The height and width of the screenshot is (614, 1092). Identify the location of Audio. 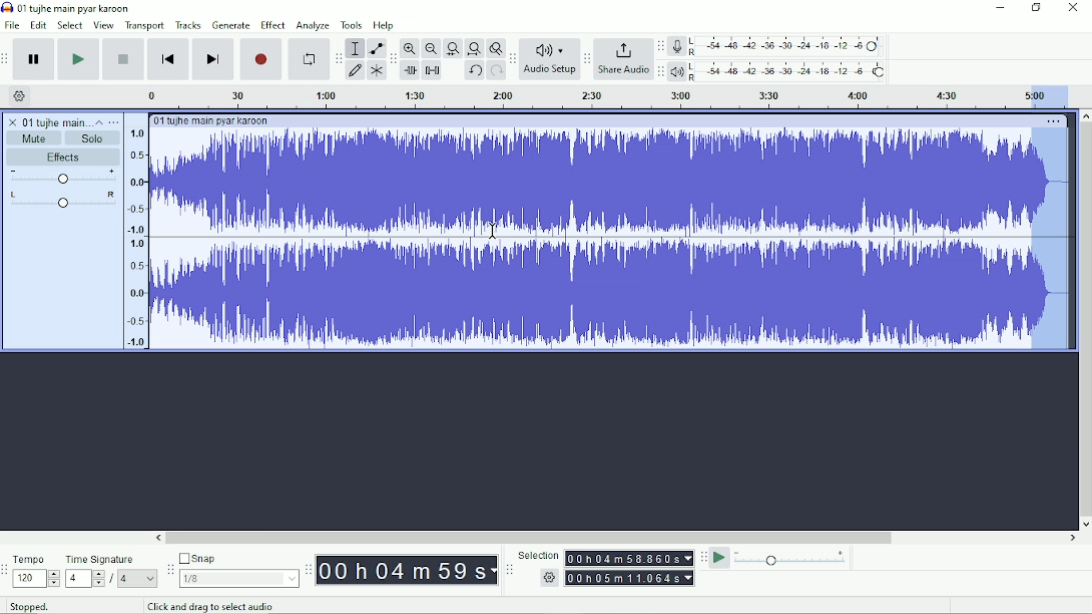
(612, 240).